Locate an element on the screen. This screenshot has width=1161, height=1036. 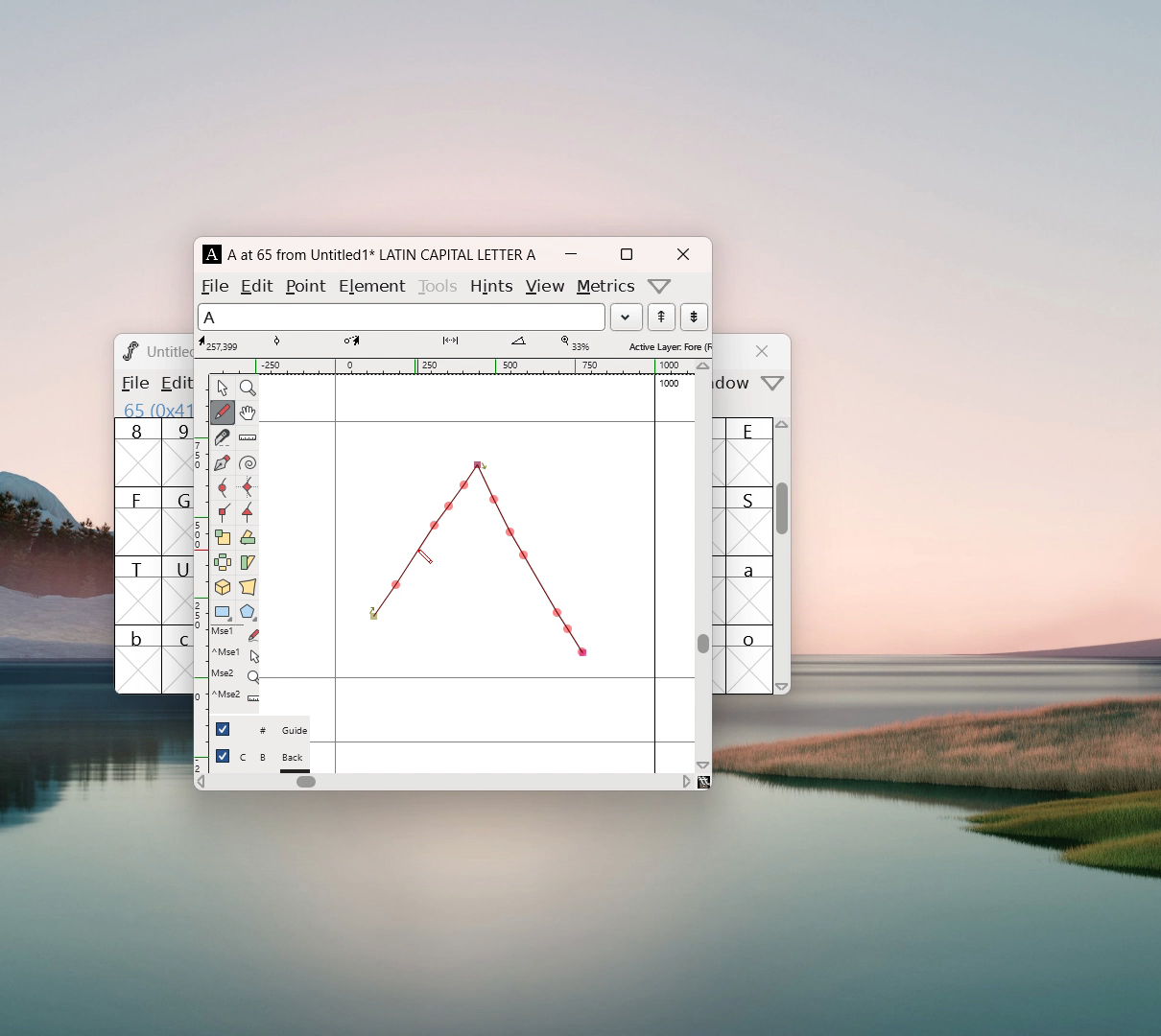
G is located at coordinates (177, 521).